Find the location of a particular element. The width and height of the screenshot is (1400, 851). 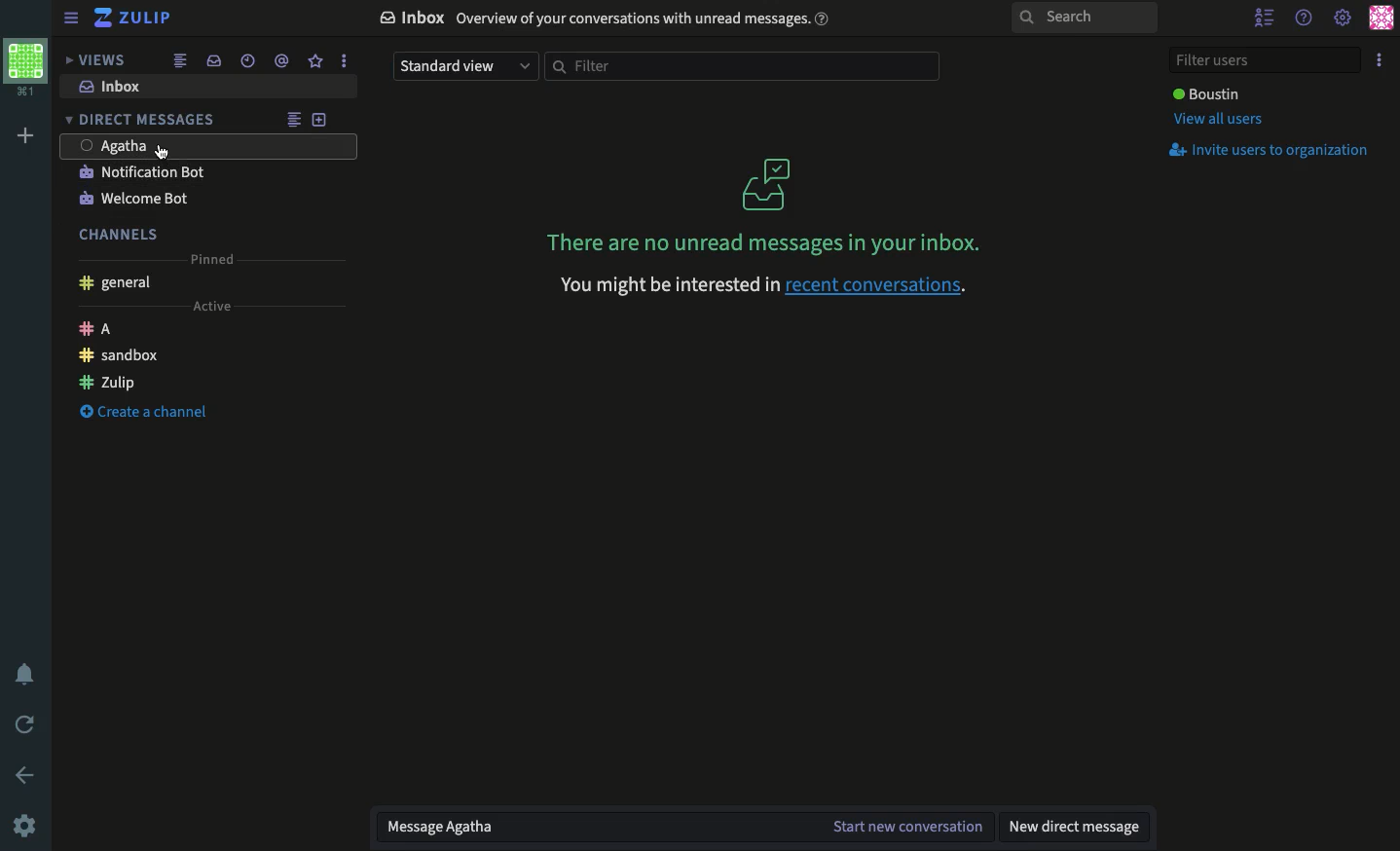

Inbox is located at coordinates (116, 86).